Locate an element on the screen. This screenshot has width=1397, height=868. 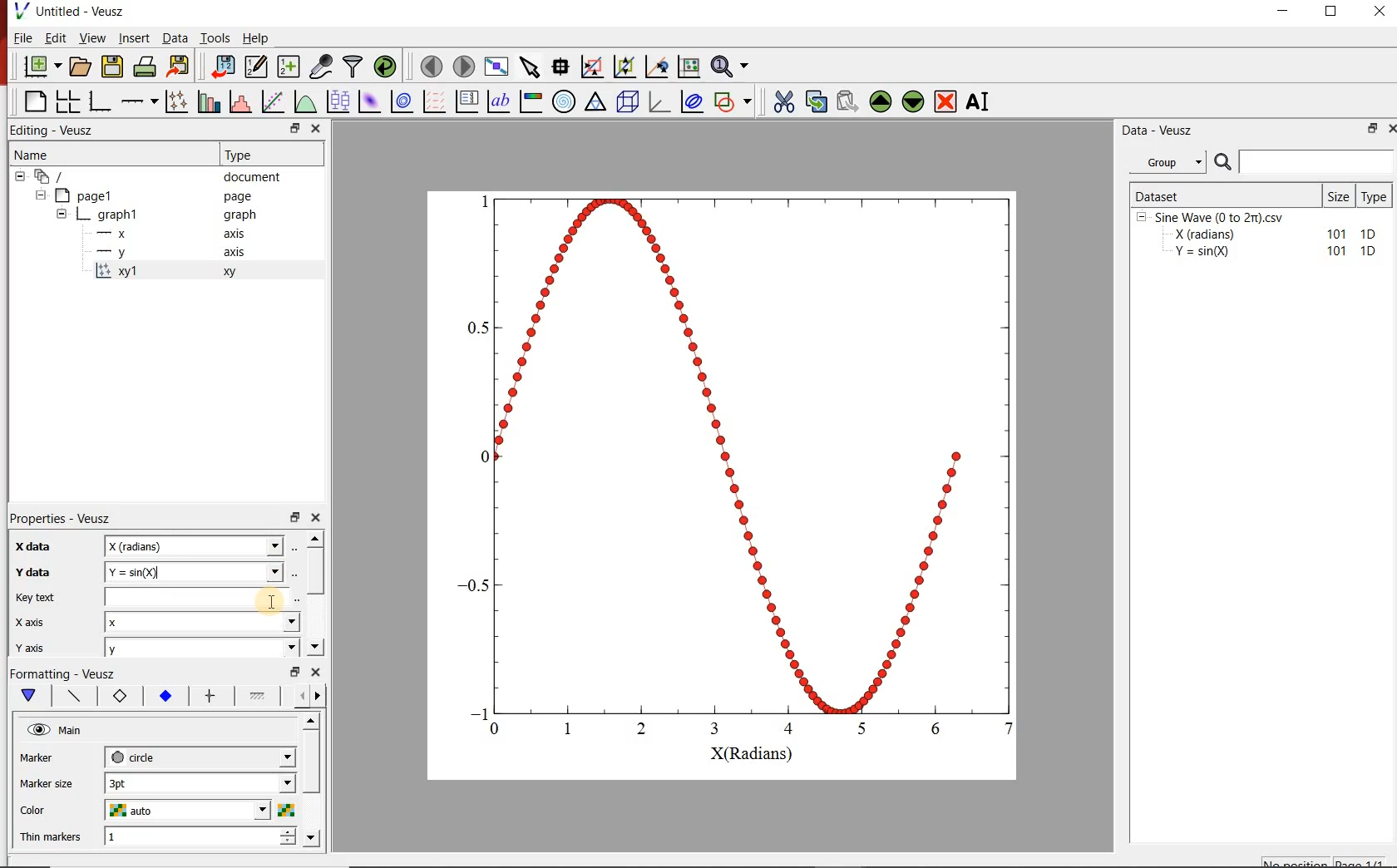
hit a function is located at coordinates (274, 101).